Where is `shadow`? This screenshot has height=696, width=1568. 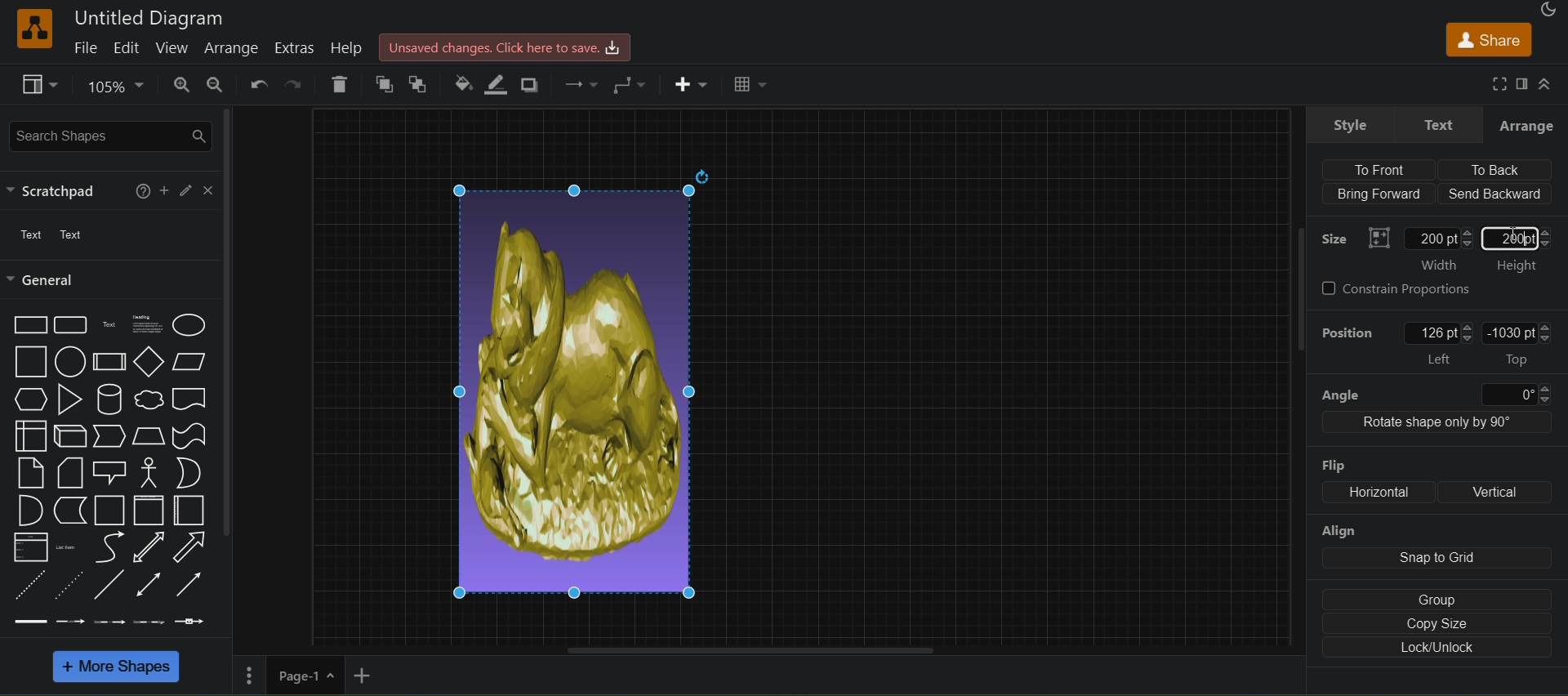
shadow is located at coordinates (536, 84).